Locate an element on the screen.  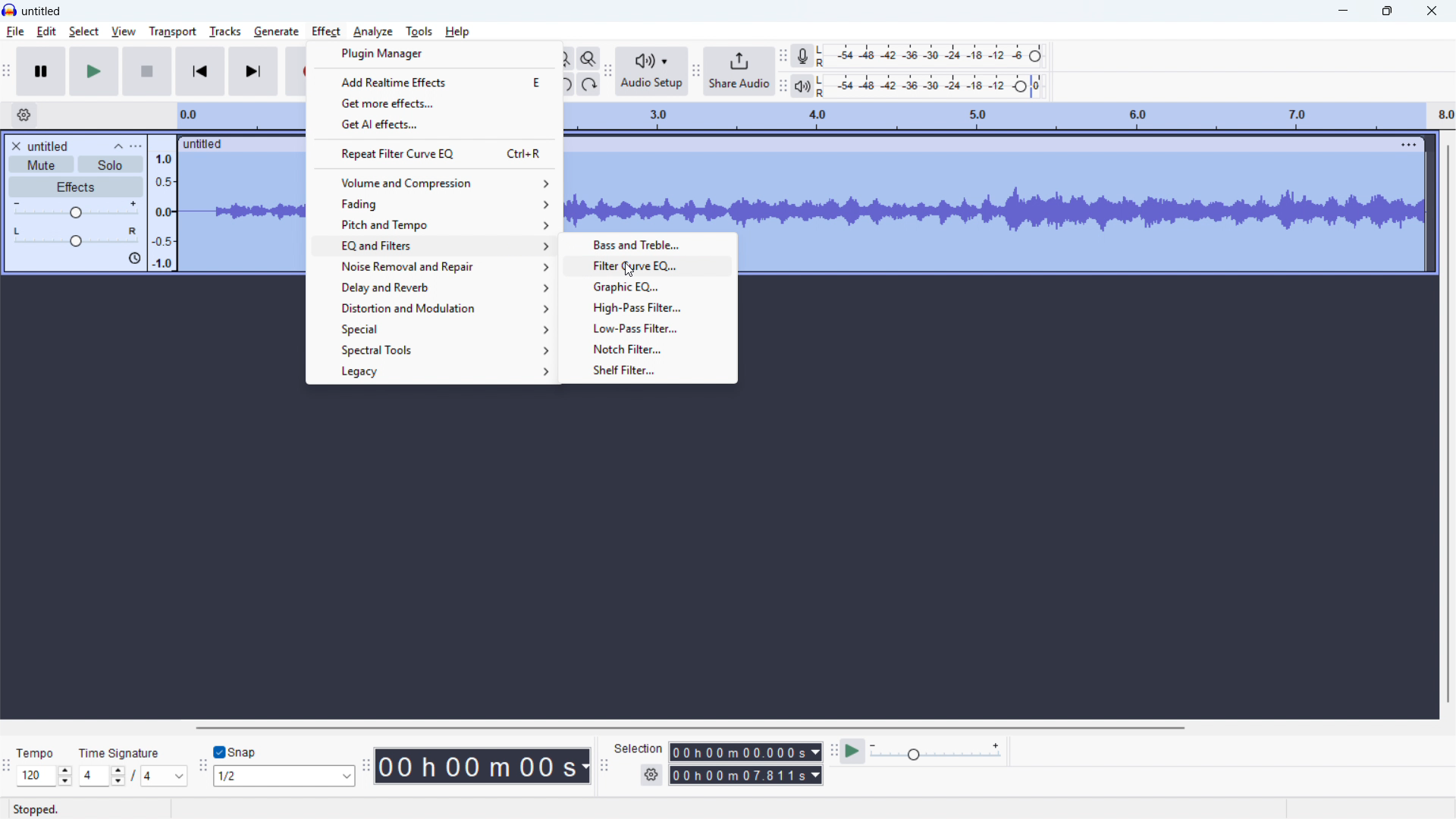
Recording level  is located at coordinates (929, 55).